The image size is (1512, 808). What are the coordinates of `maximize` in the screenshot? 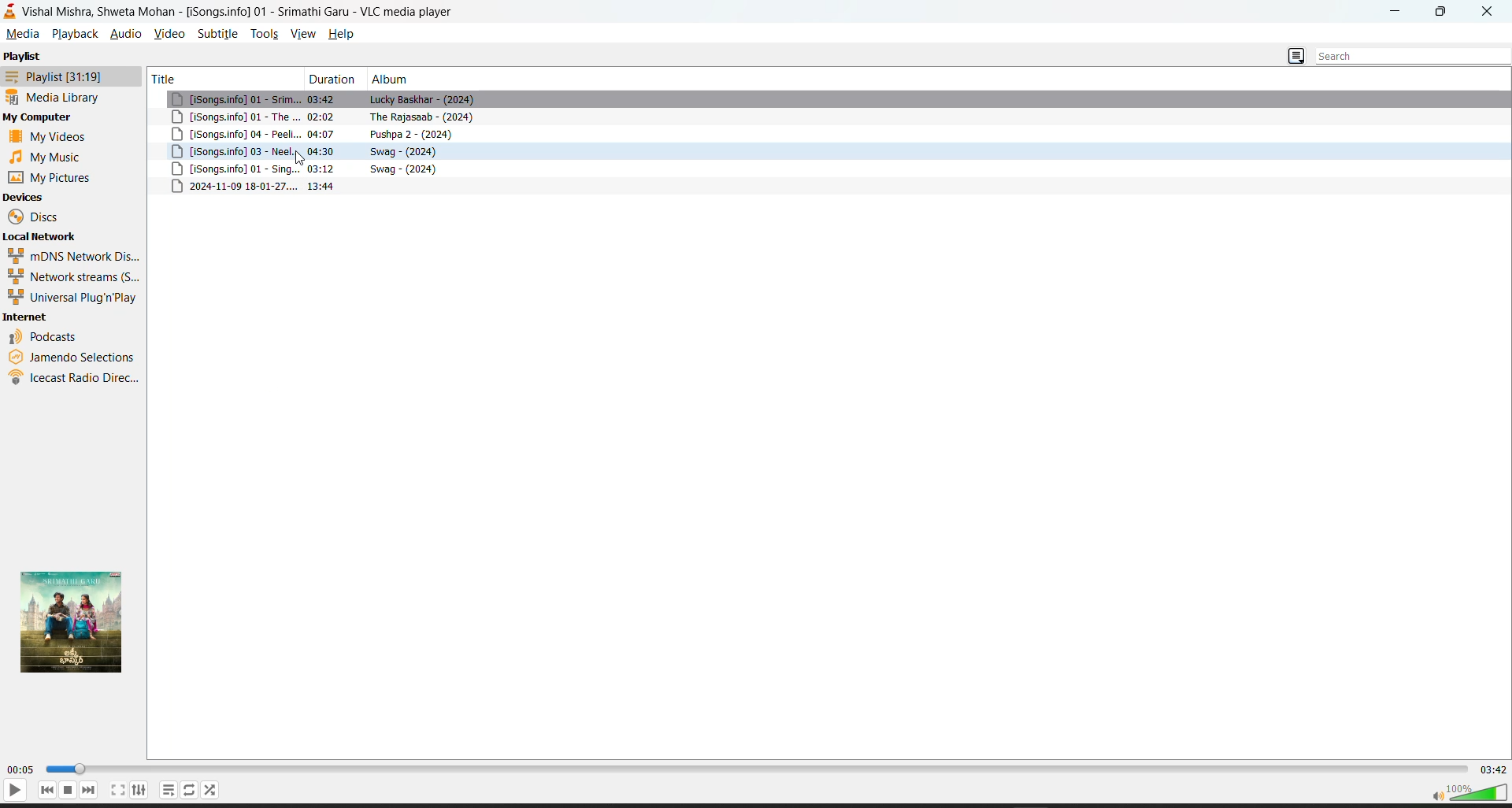 It's located at (1443, 12).